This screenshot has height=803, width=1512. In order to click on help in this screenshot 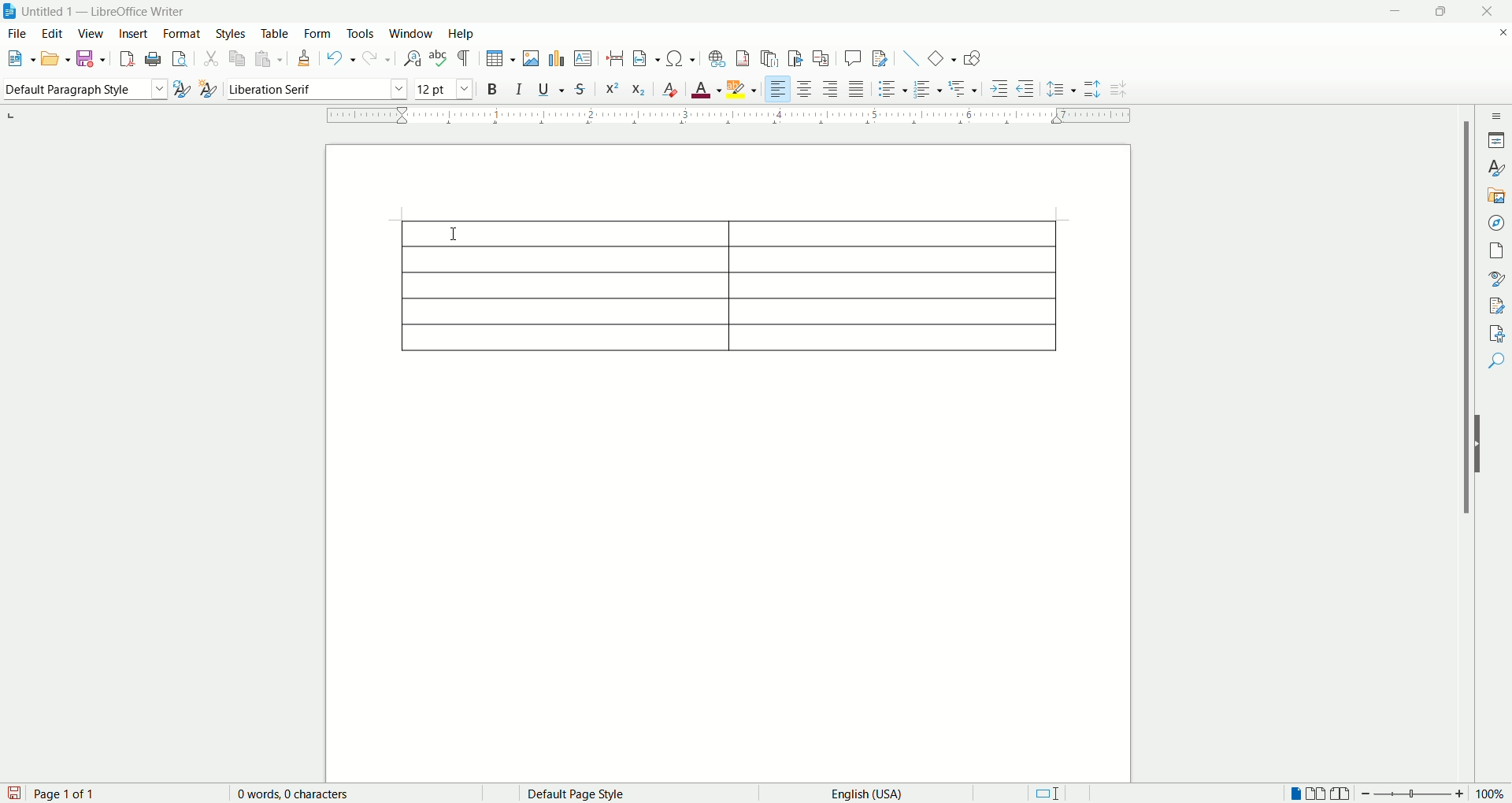, I will do `click(461, 35)`.